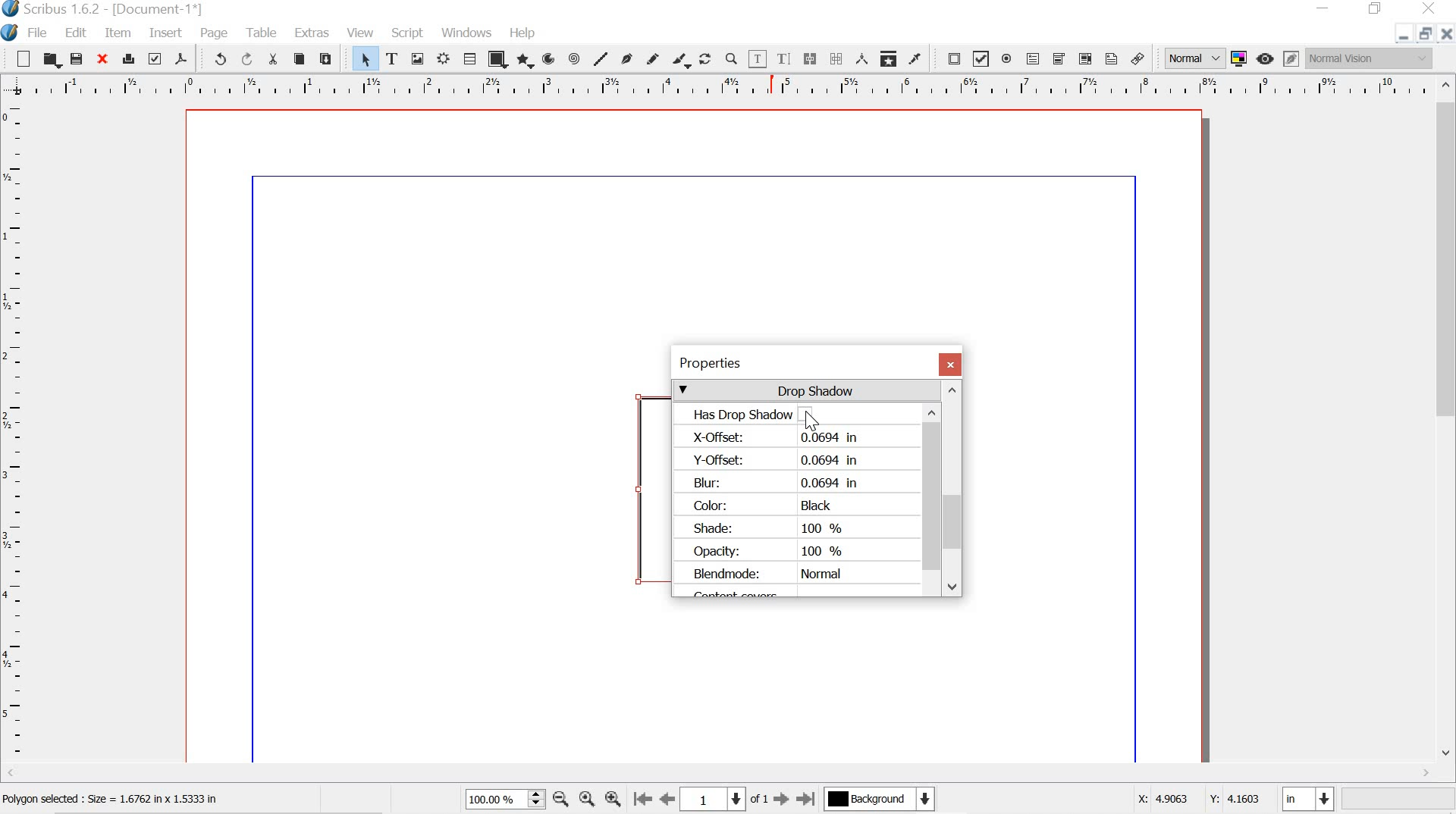  Describe the element at coordinates (809, 58) in the screenshot. I see `link text frame` at that location.